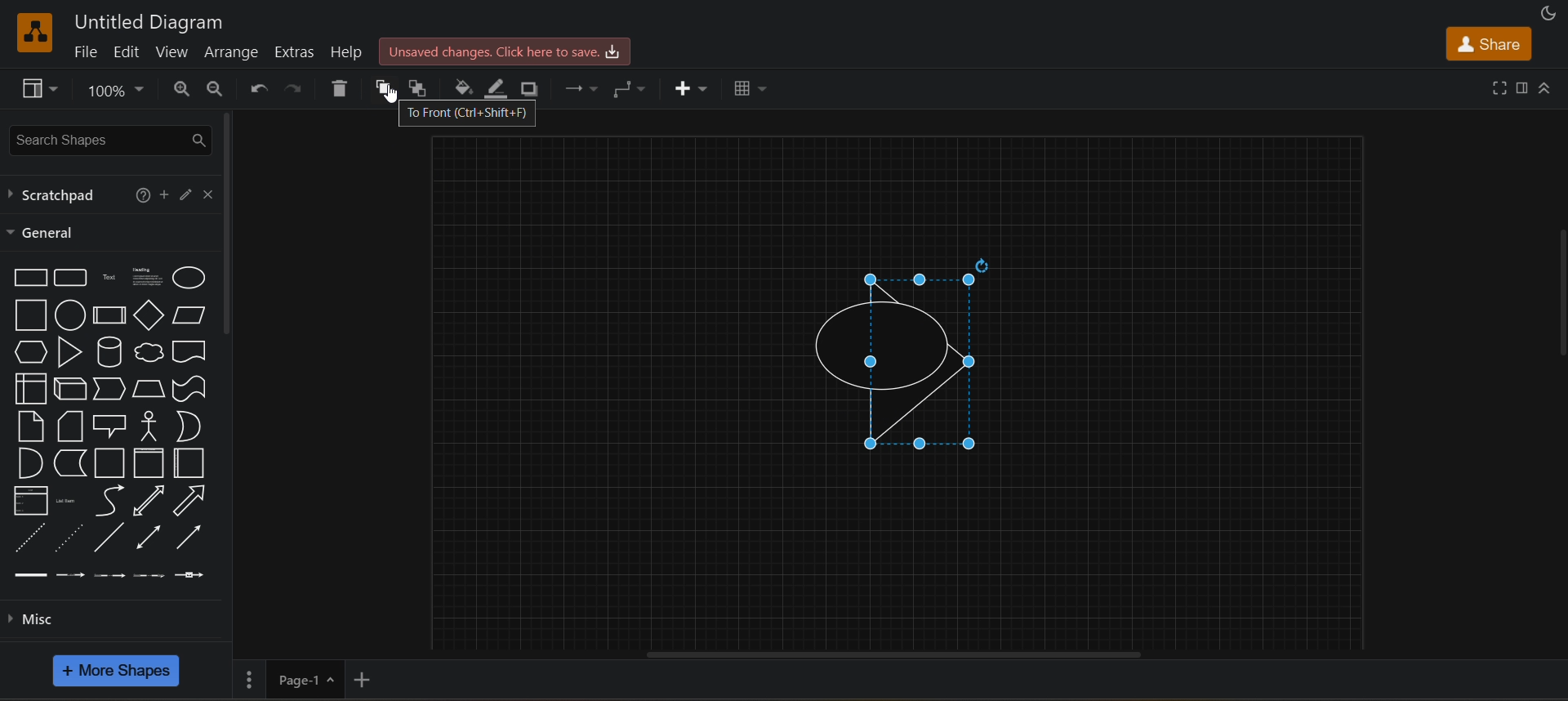 The width and height of the screenshot is (1568, 701). I want to click on zoom, so click(118, 90).